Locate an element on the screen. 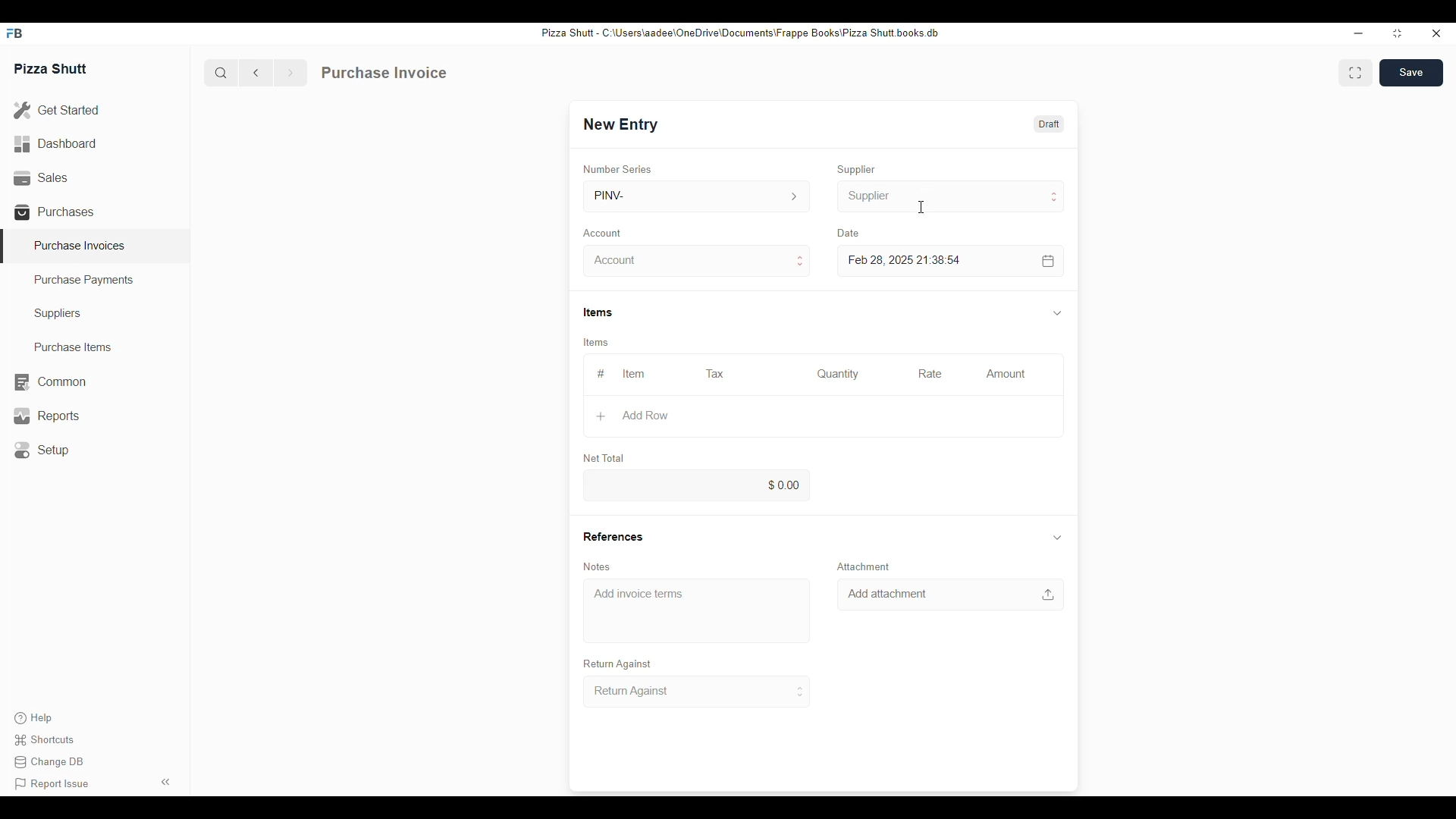 This screenshot has width=1456, height=819. resize is located at coordinates (1395, 34).